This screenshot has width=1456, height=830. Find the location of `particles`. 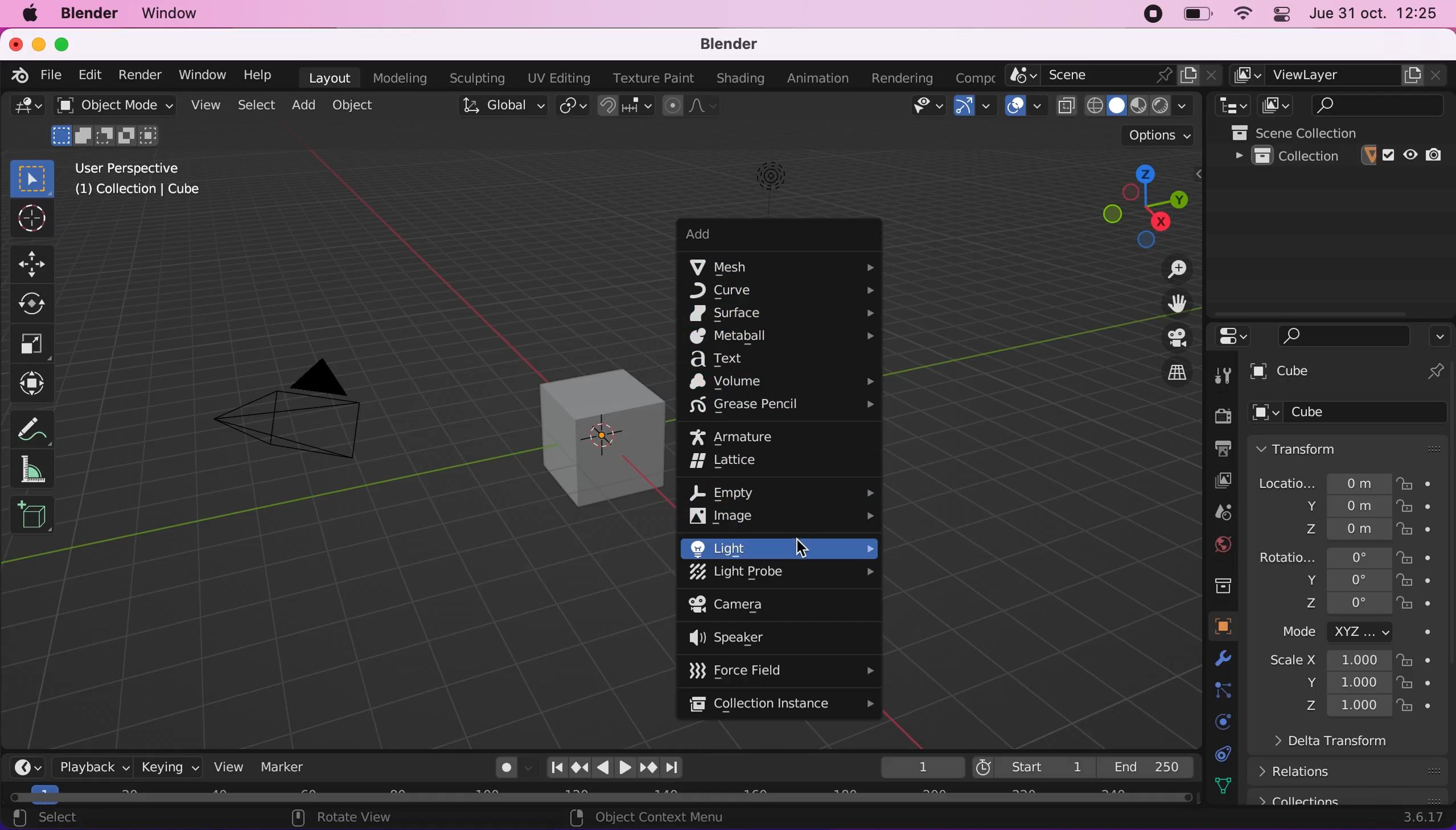

particles is located at coordinates (1218, 690).